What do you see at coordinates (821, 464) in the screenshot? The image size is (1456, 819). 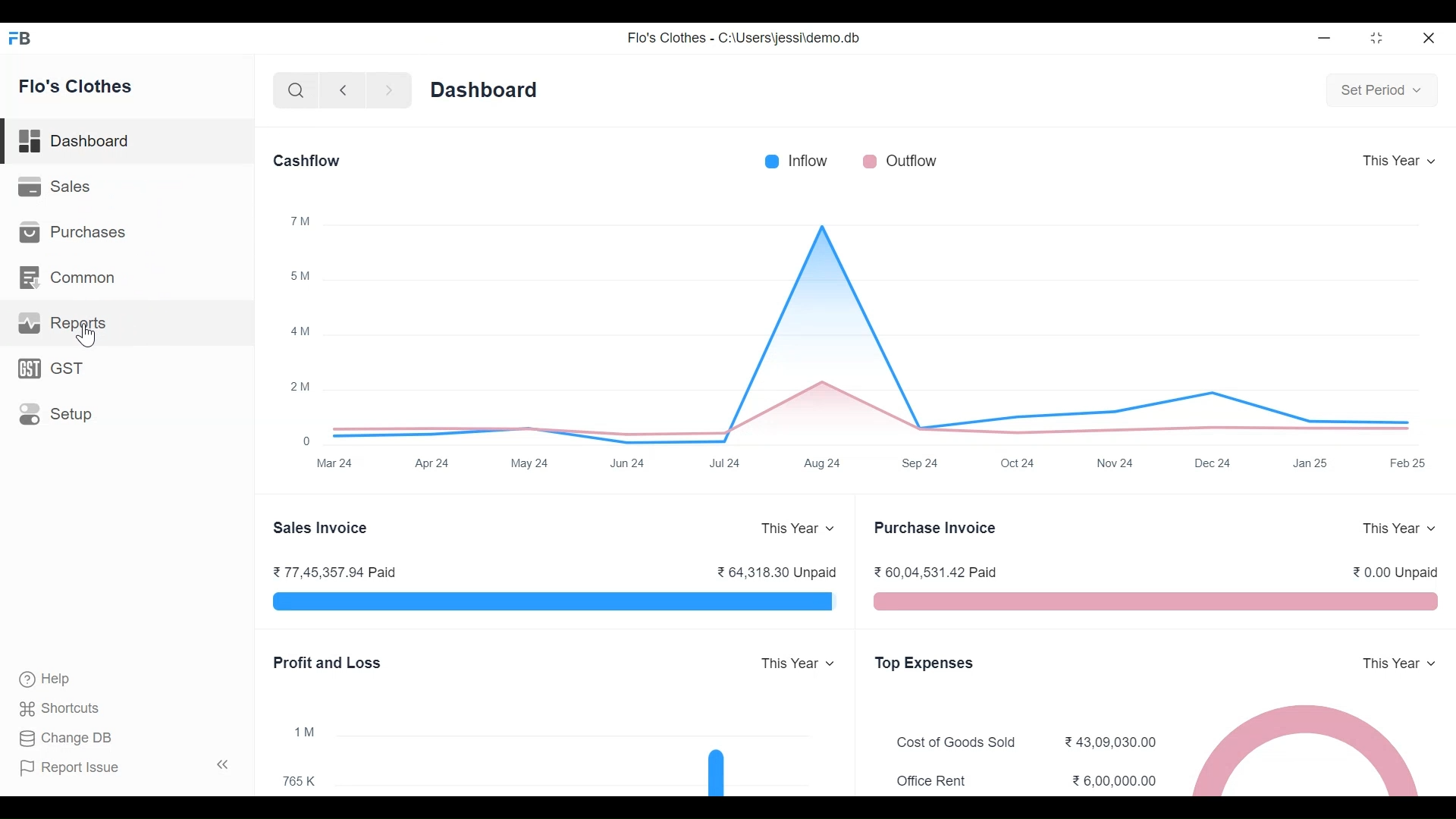 I see `Aug 24` at bounding box center [821, 464].